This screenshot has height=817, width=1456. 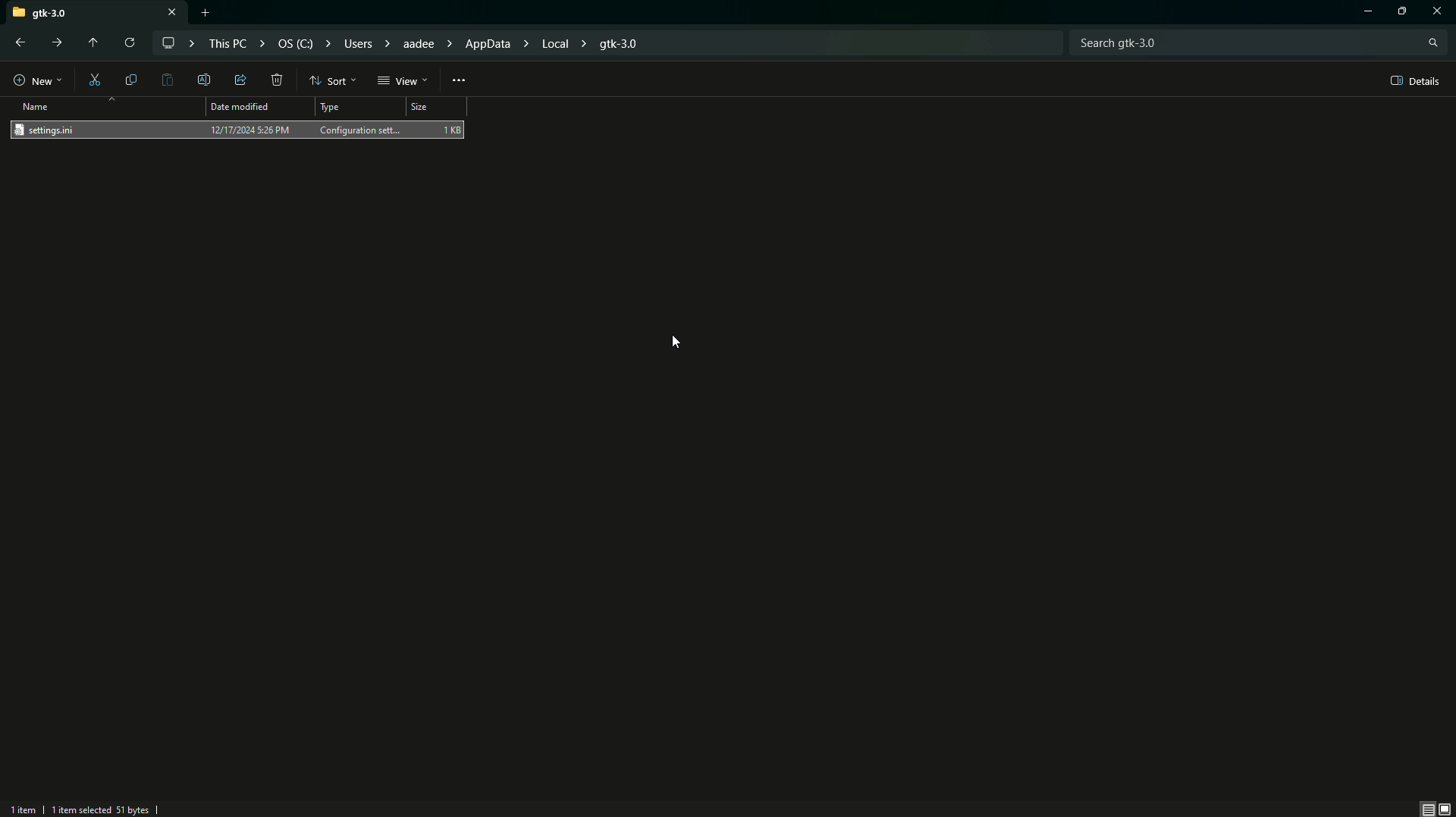 What do you see at coordinates (331, 81) in the screenshot?
I see `Sort` at bounding box center [331, 81].